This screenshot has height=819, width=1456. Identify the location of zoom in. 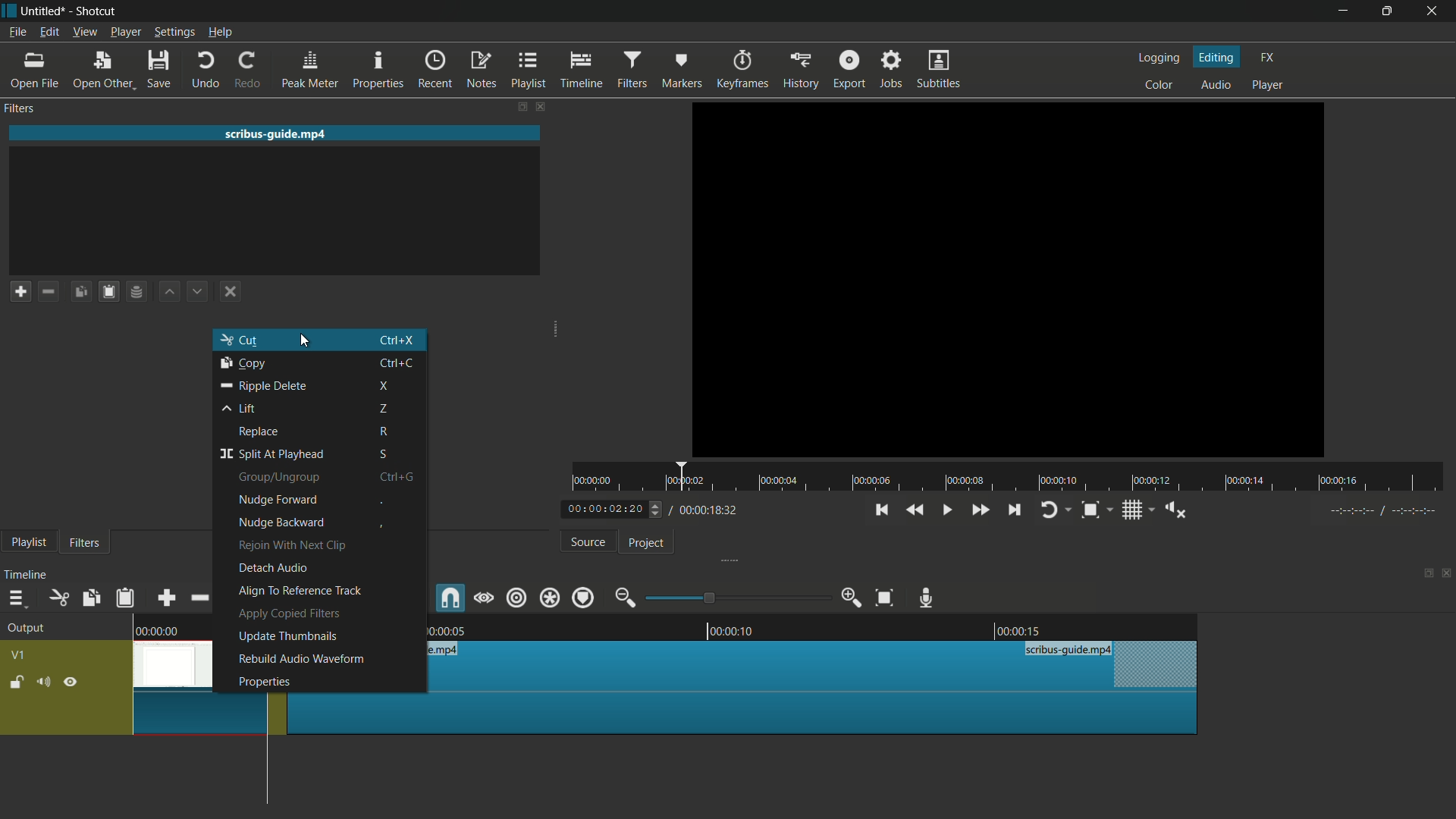
(850, 598).